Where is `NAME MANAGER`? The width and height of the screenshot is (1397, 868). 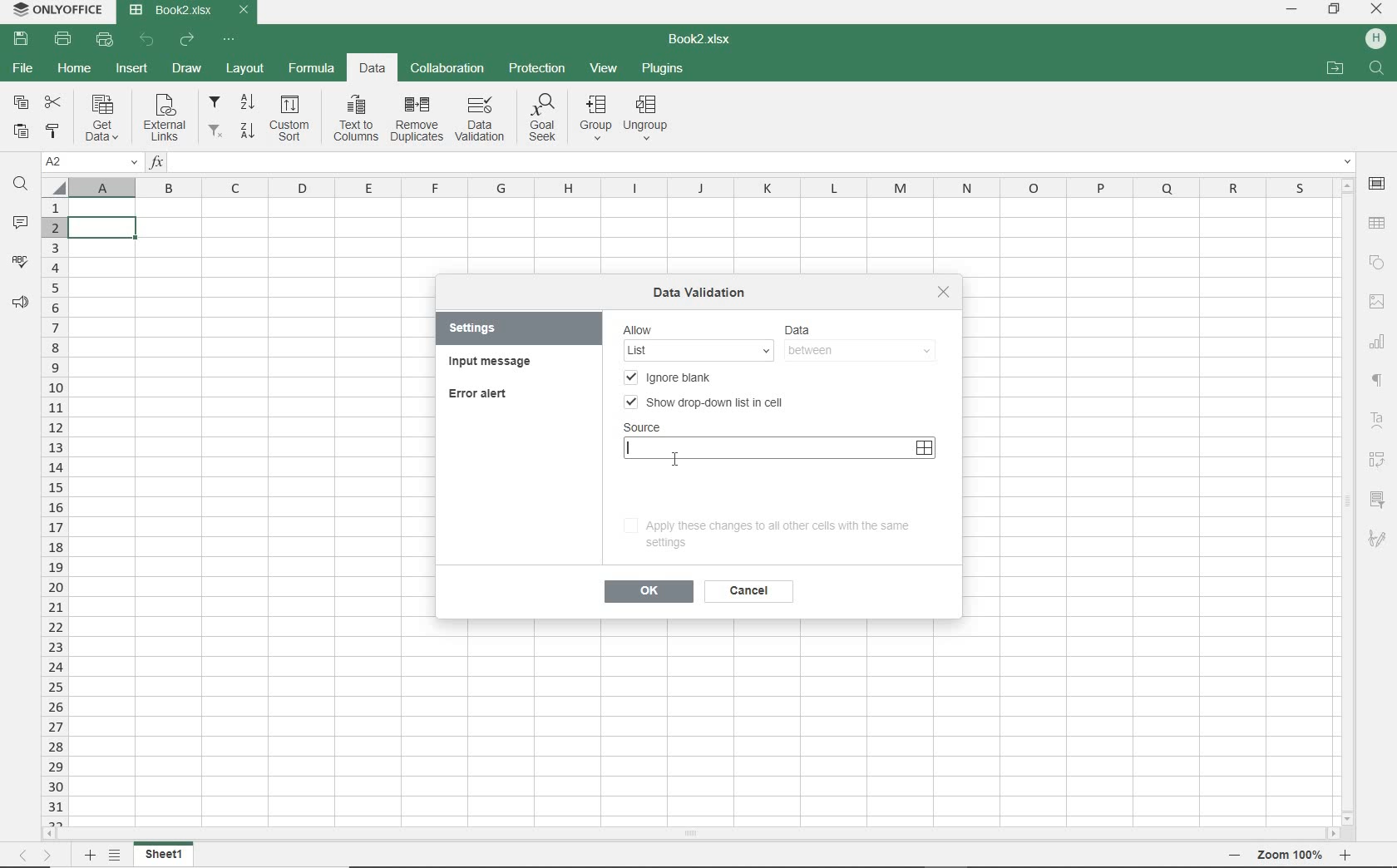 NAME MANAGER is located at coordinates (90, 163).